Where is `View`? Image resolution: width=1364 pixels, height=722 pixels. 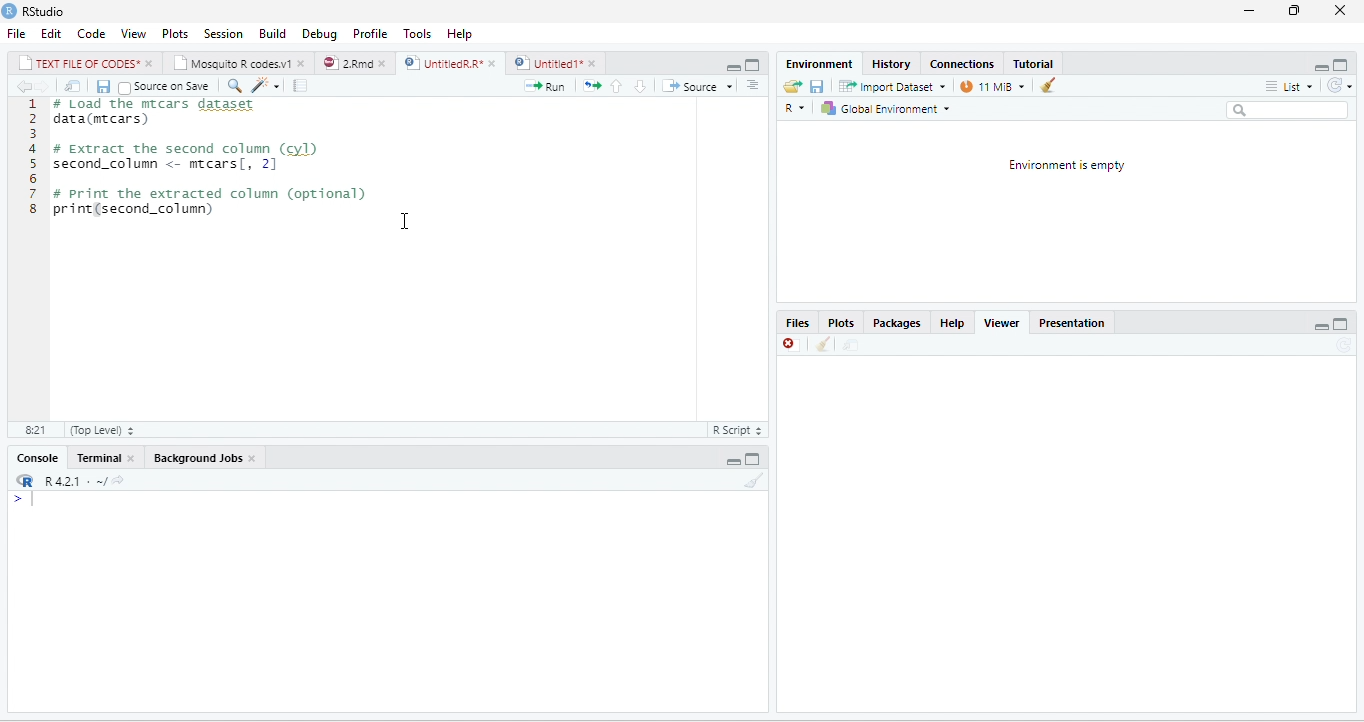 View is located at coordinates (134, 32).